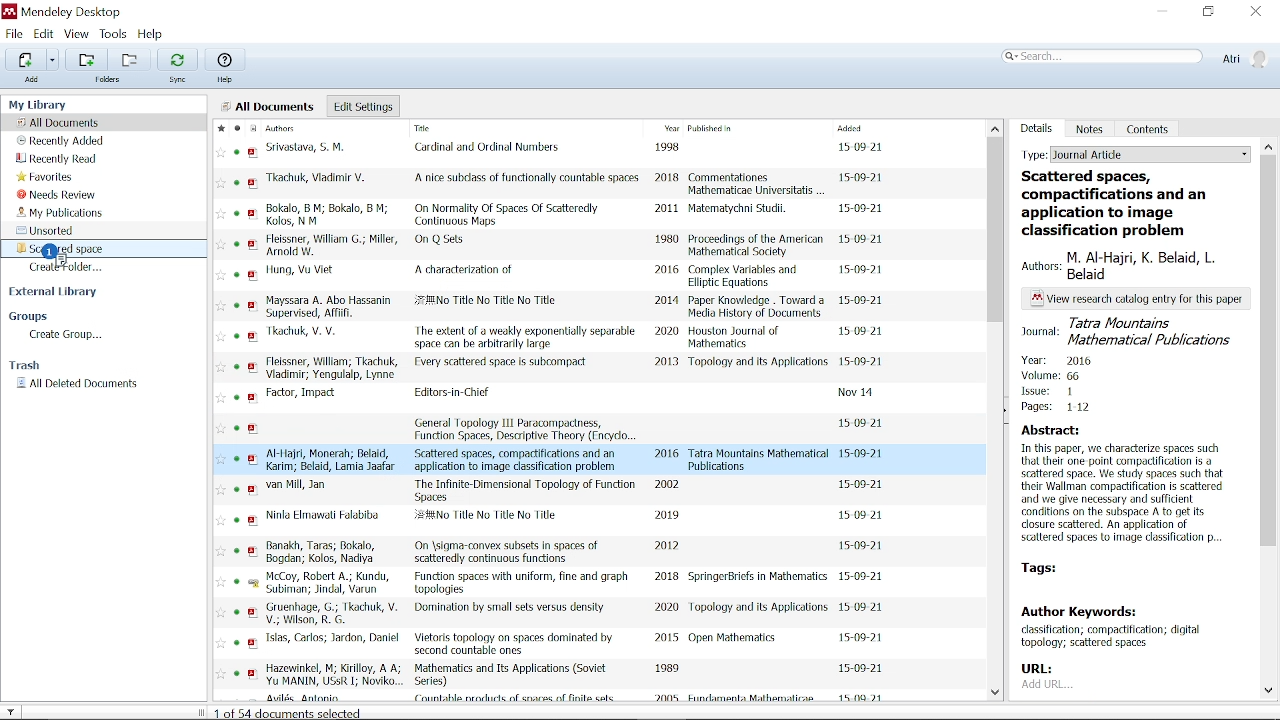 Image resolution: width=1280 pixels, height=720 pixels. I want to click on date, so click(862, 454).